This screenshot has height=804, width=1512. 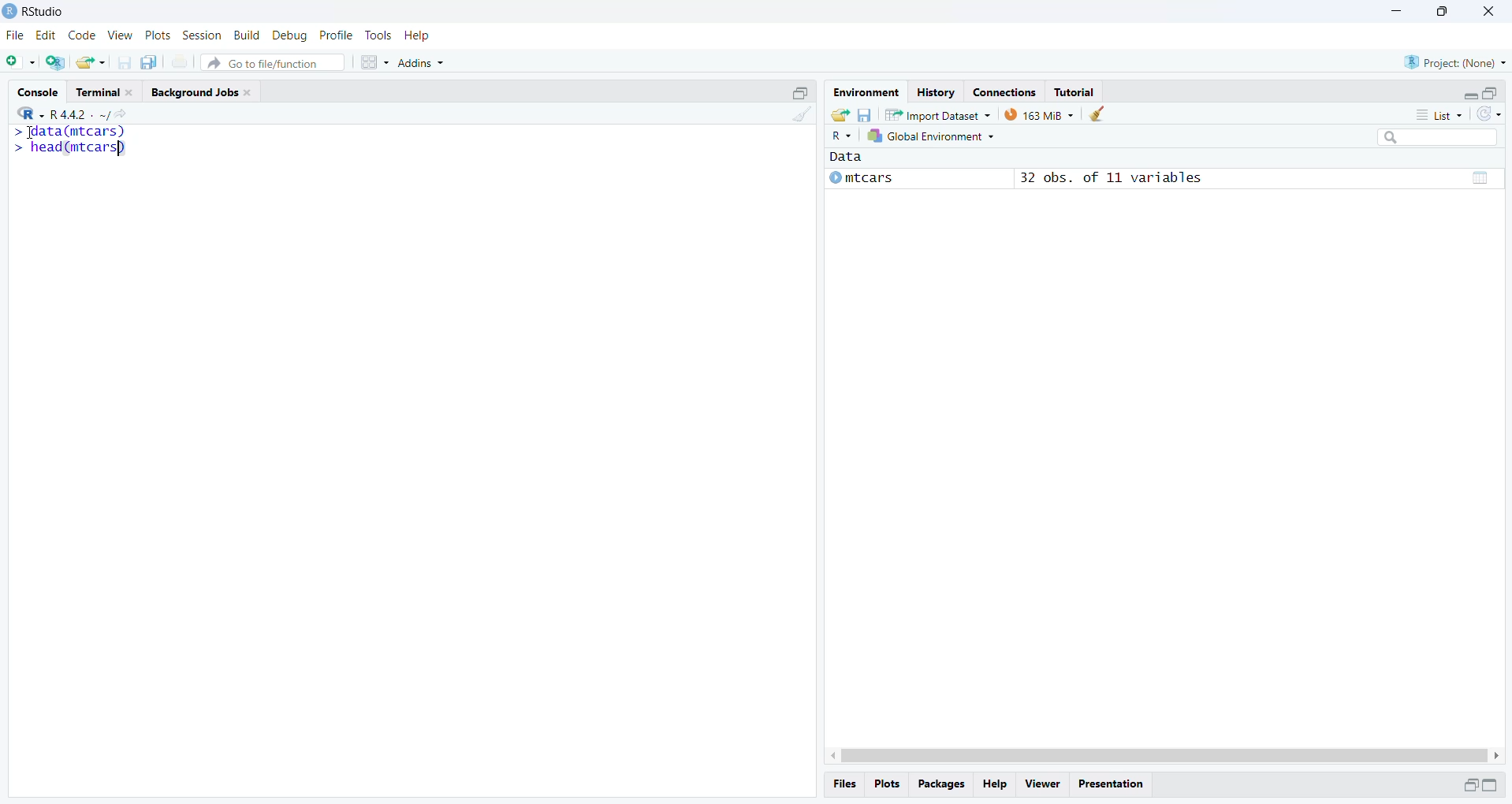 What do you see at coordinates (69, 132) in the screenshot?
I see `> data(mtcars)` at bounding box center [69, 132].